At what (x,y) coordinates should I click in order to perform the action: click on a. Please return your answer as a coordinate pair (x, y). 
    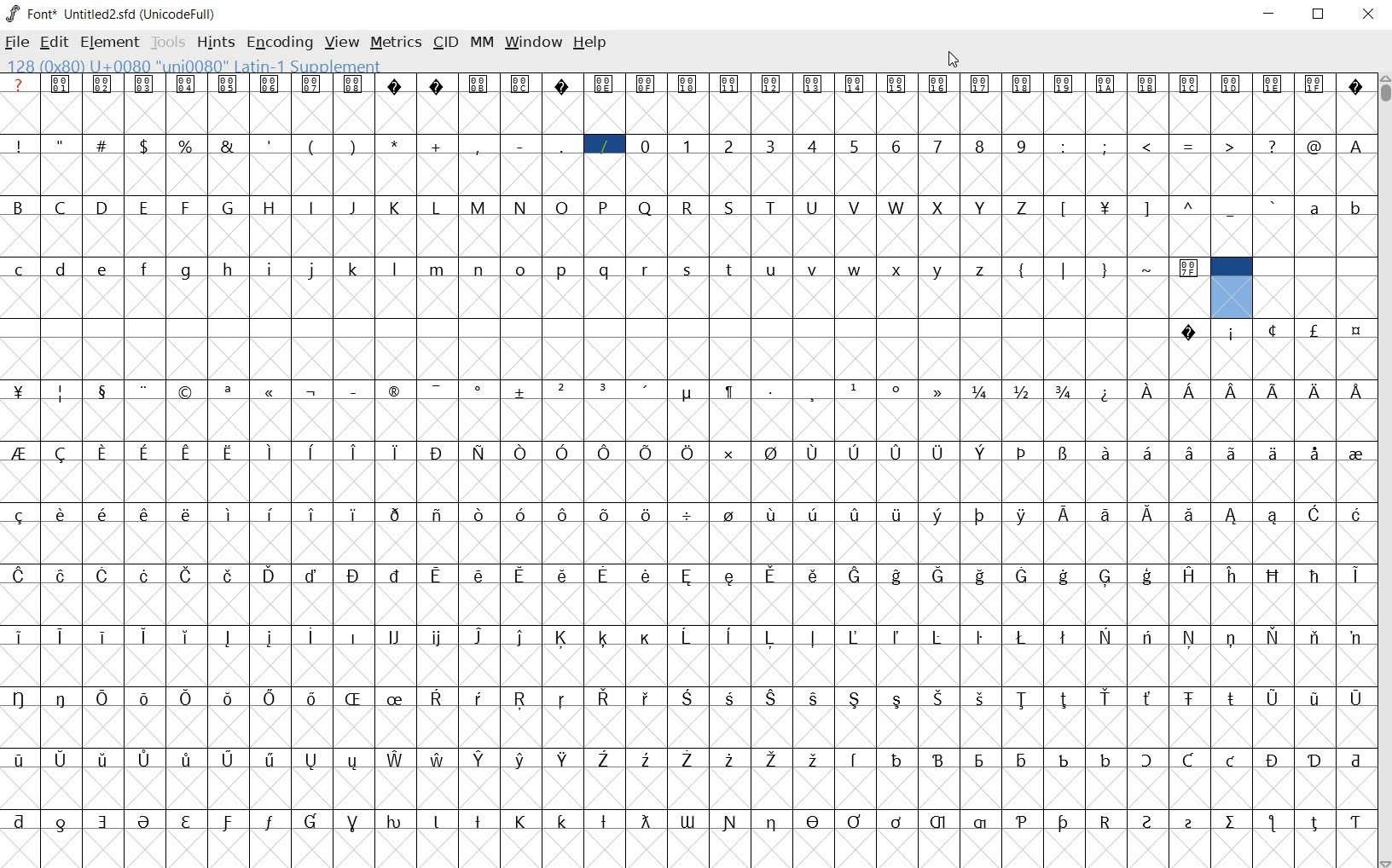
    Looking at the image, I should click on (1315, 209).